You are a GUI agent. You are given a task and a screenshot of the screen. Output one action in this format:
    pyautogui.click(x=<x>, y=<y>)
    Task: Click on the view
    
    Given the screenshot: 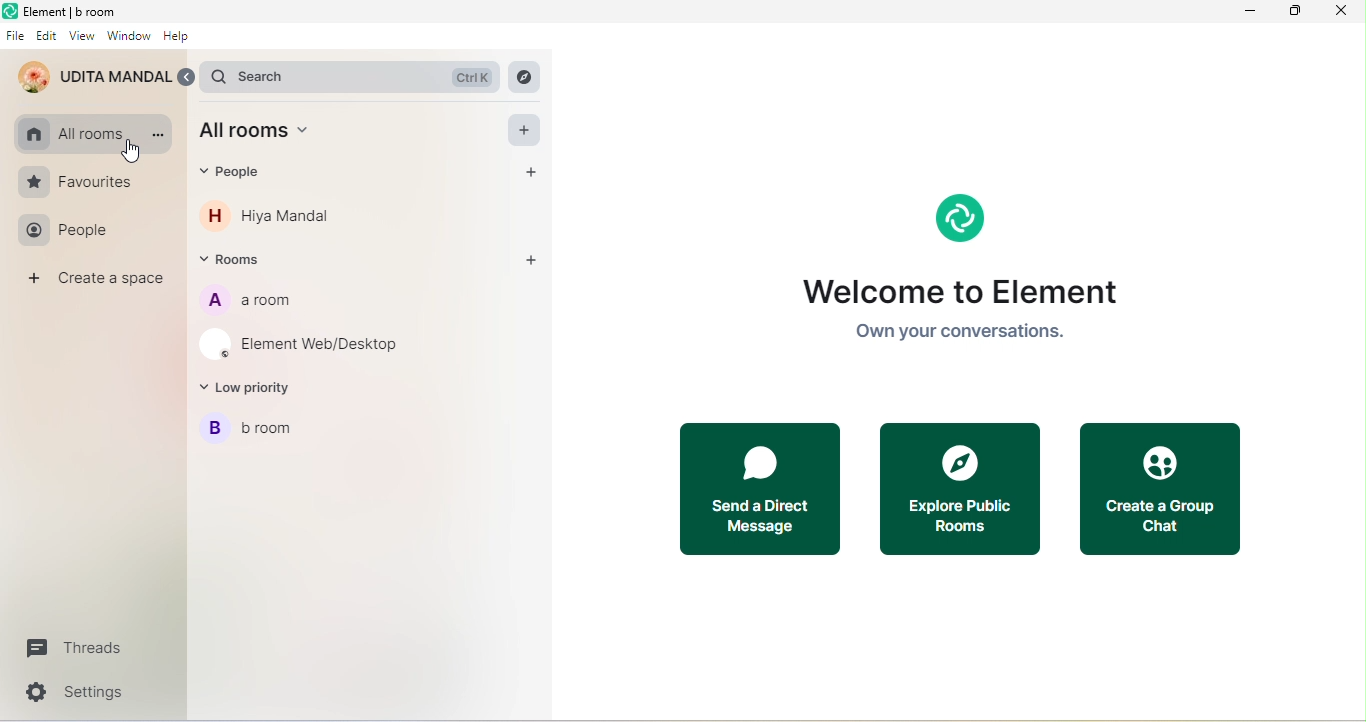 What is the action you would take?
    pyautogui.click(x=84, y=35)
    